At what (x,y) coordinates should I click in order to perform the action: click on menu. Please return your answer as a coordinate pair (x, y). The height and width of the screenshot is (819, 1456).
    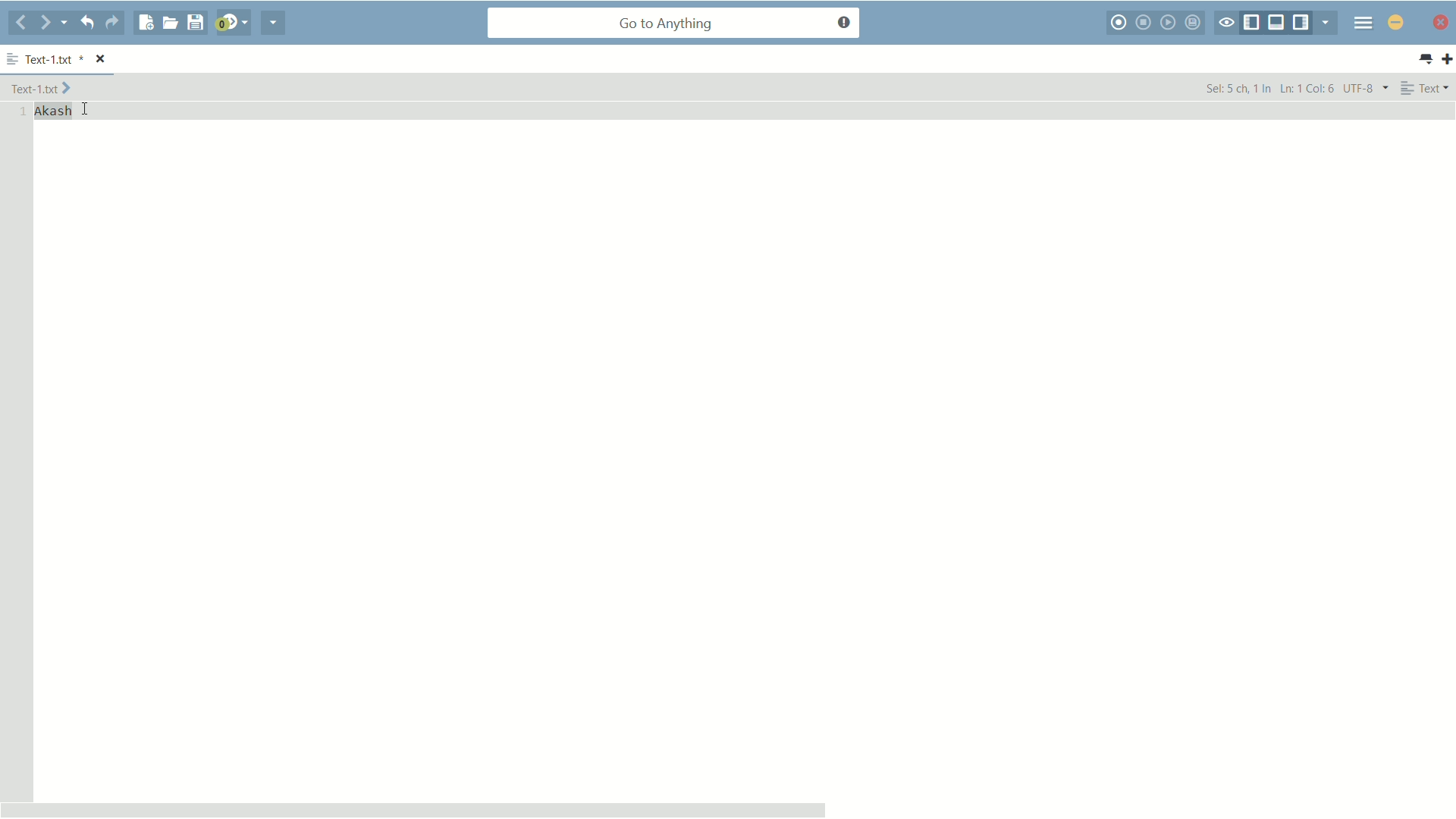
    Looking at the image, I should click on (1363, 22).